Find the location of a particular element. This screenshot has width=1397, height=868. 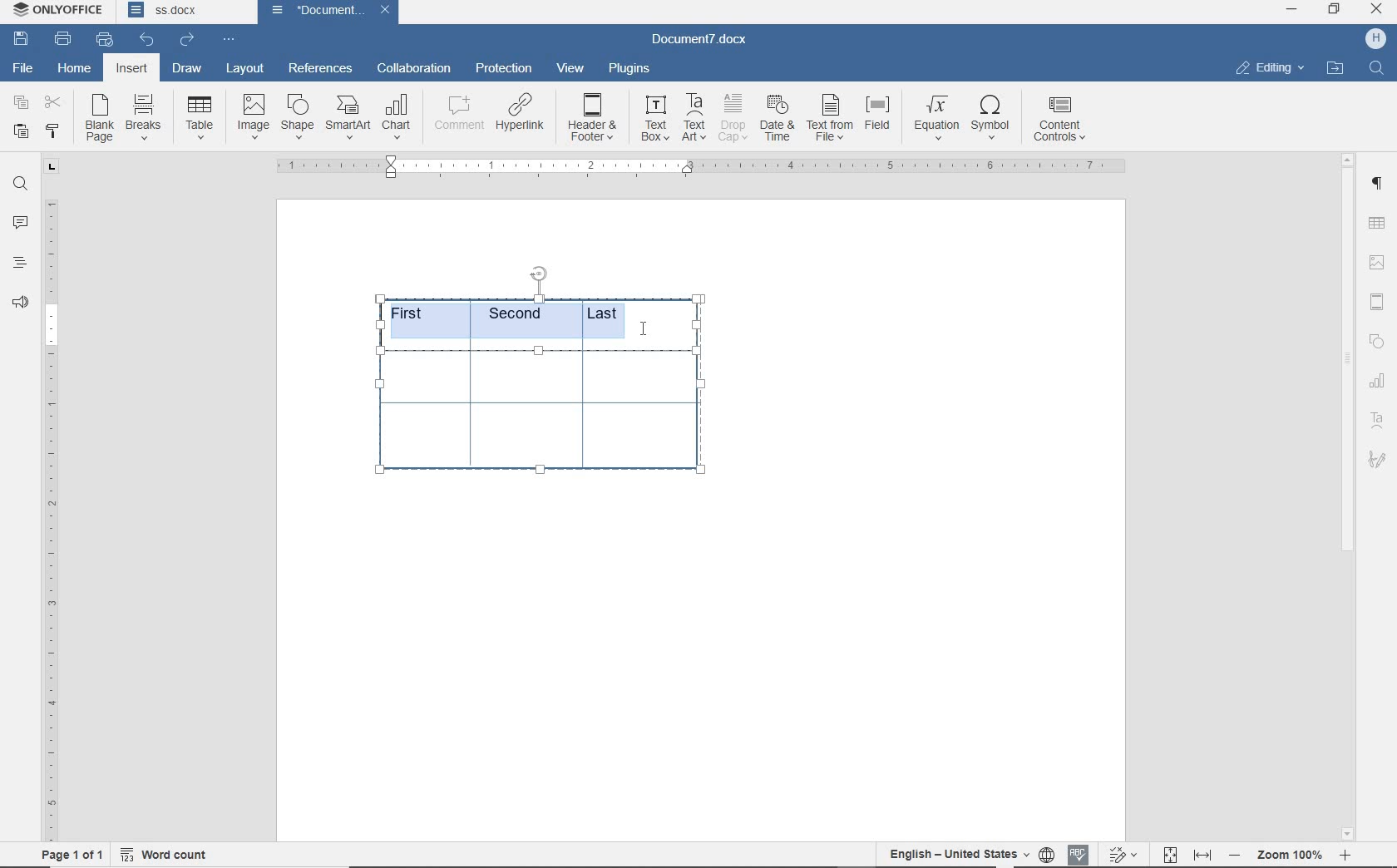

close is located at coordinates (385, 11).